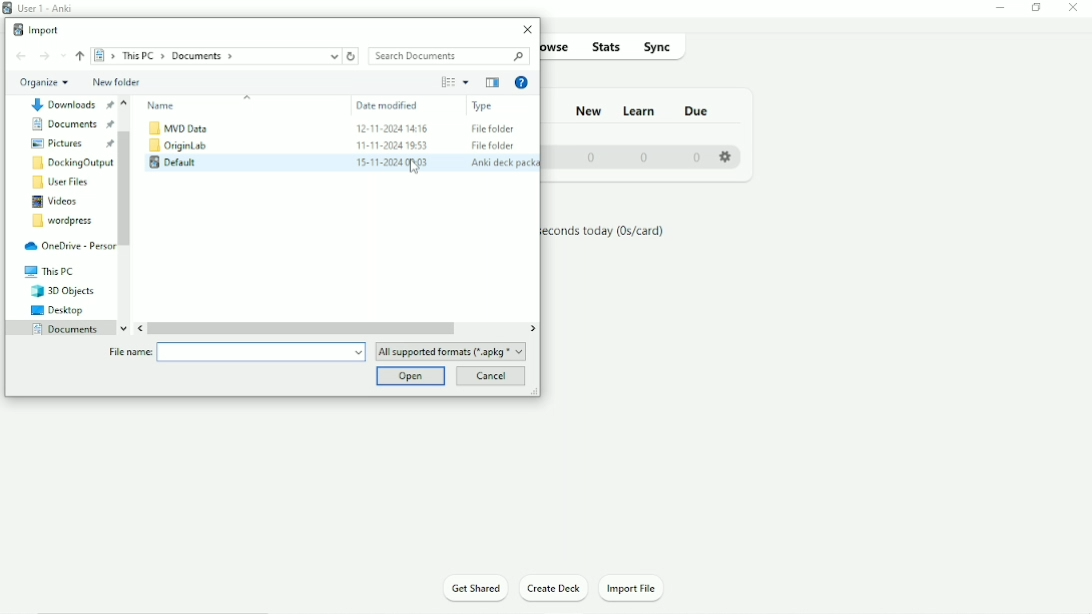 The width and height of the screenshot is (1092, 614). Describe the element at coordinates (1002, 8) in the screenshot. I see `Minimize` at that location.